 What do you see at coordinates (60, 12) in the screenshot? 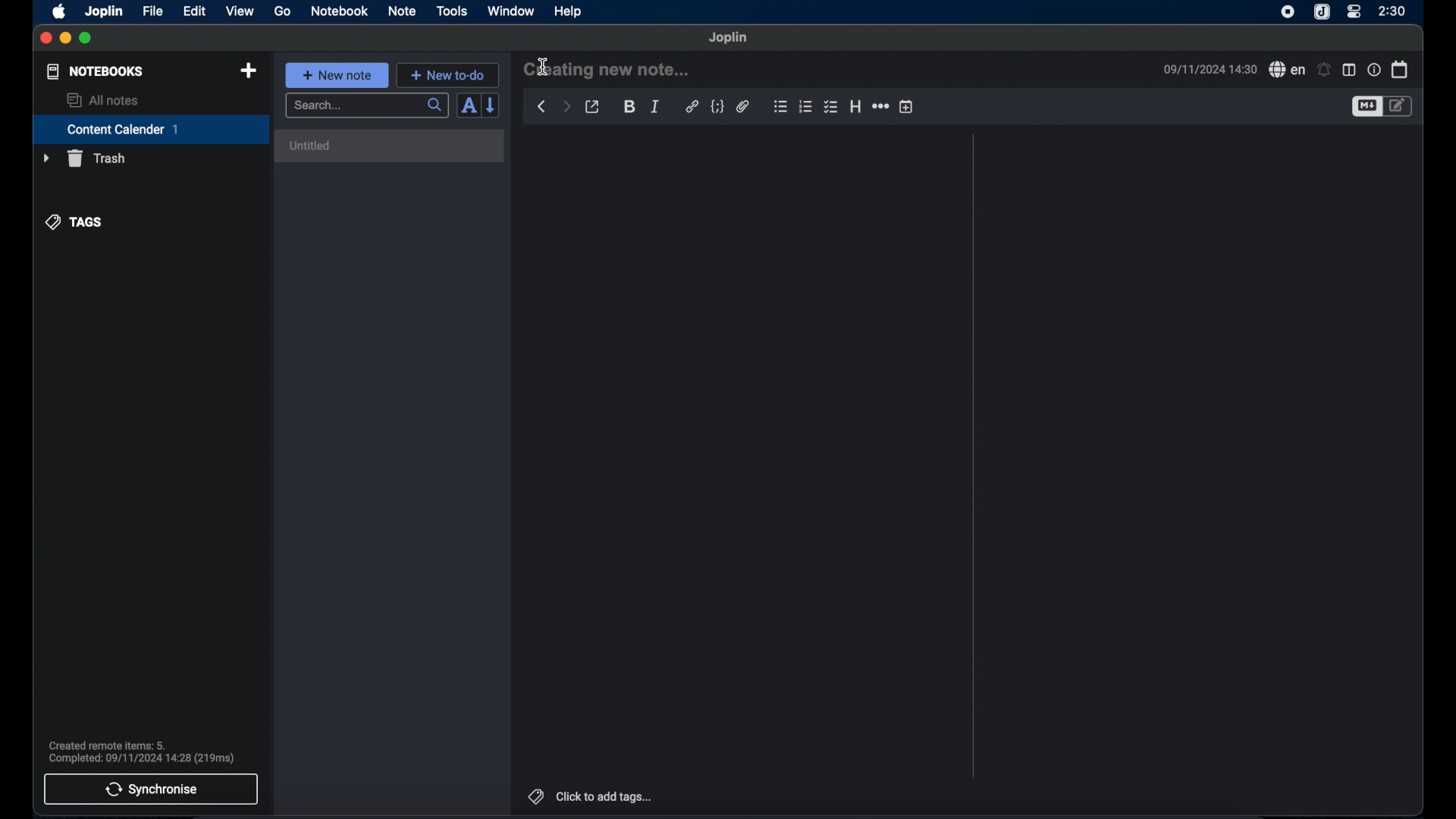
I see `apple icon` at bounding box center [60, 12].